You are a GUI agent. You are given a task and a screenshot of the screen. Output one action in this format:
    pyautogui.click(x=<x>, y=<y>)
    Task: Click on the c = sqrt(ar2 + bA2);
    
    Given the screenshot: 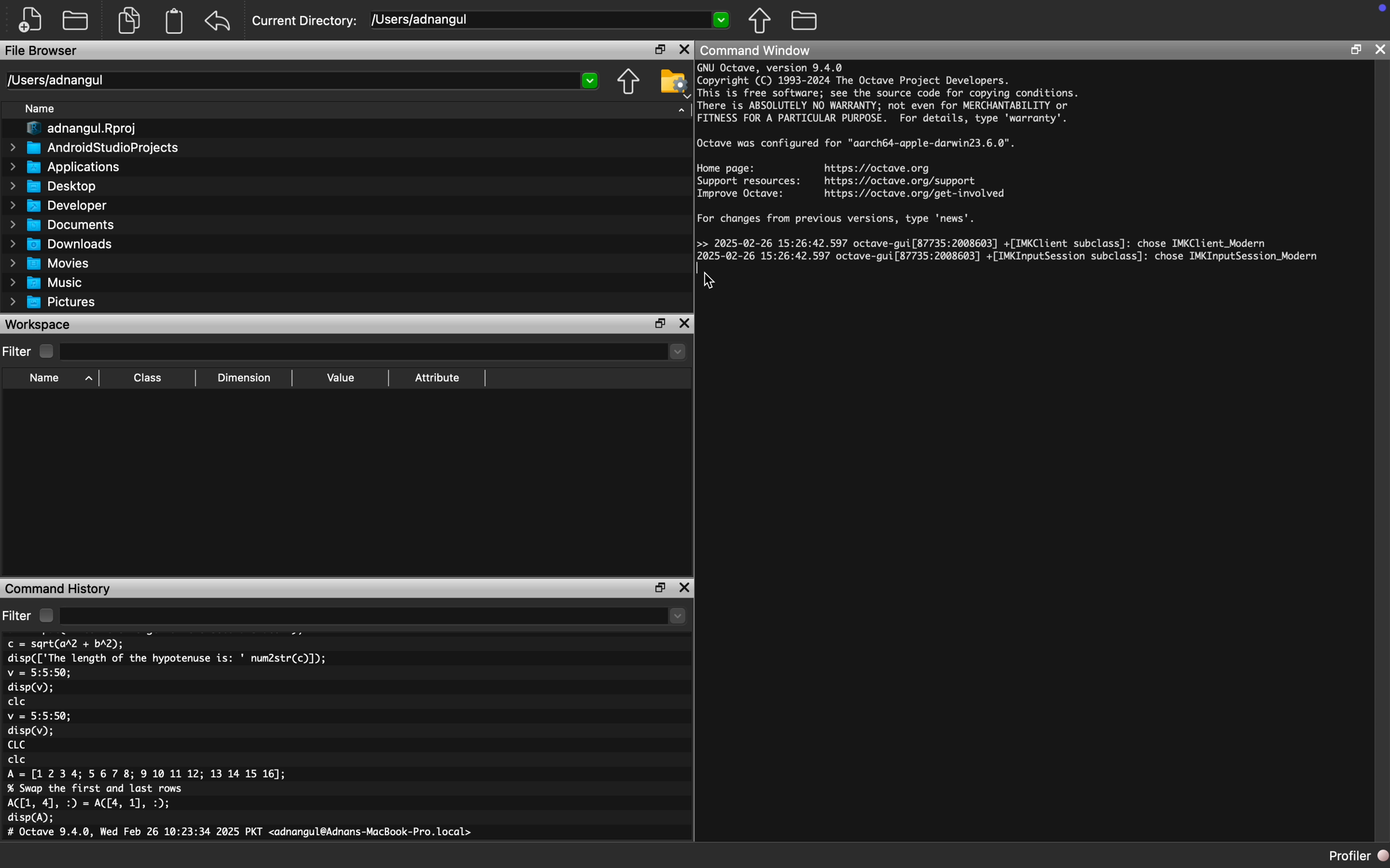 What is the action you would take?
    pyautogui.click(x=66, y=644)
    